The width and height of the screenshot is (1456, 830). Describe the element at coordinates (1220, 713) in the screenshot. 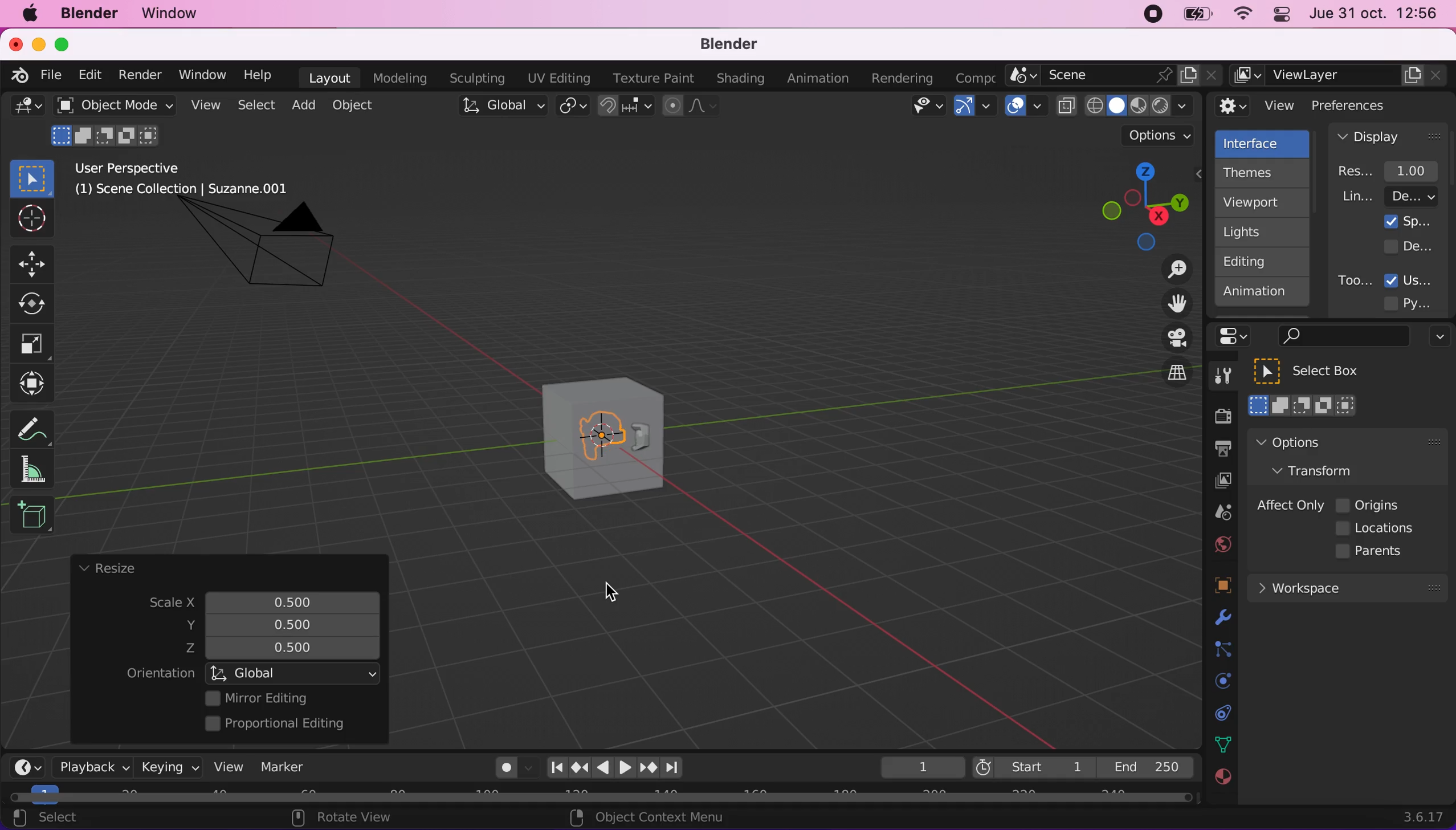

I see `collection` at that location.